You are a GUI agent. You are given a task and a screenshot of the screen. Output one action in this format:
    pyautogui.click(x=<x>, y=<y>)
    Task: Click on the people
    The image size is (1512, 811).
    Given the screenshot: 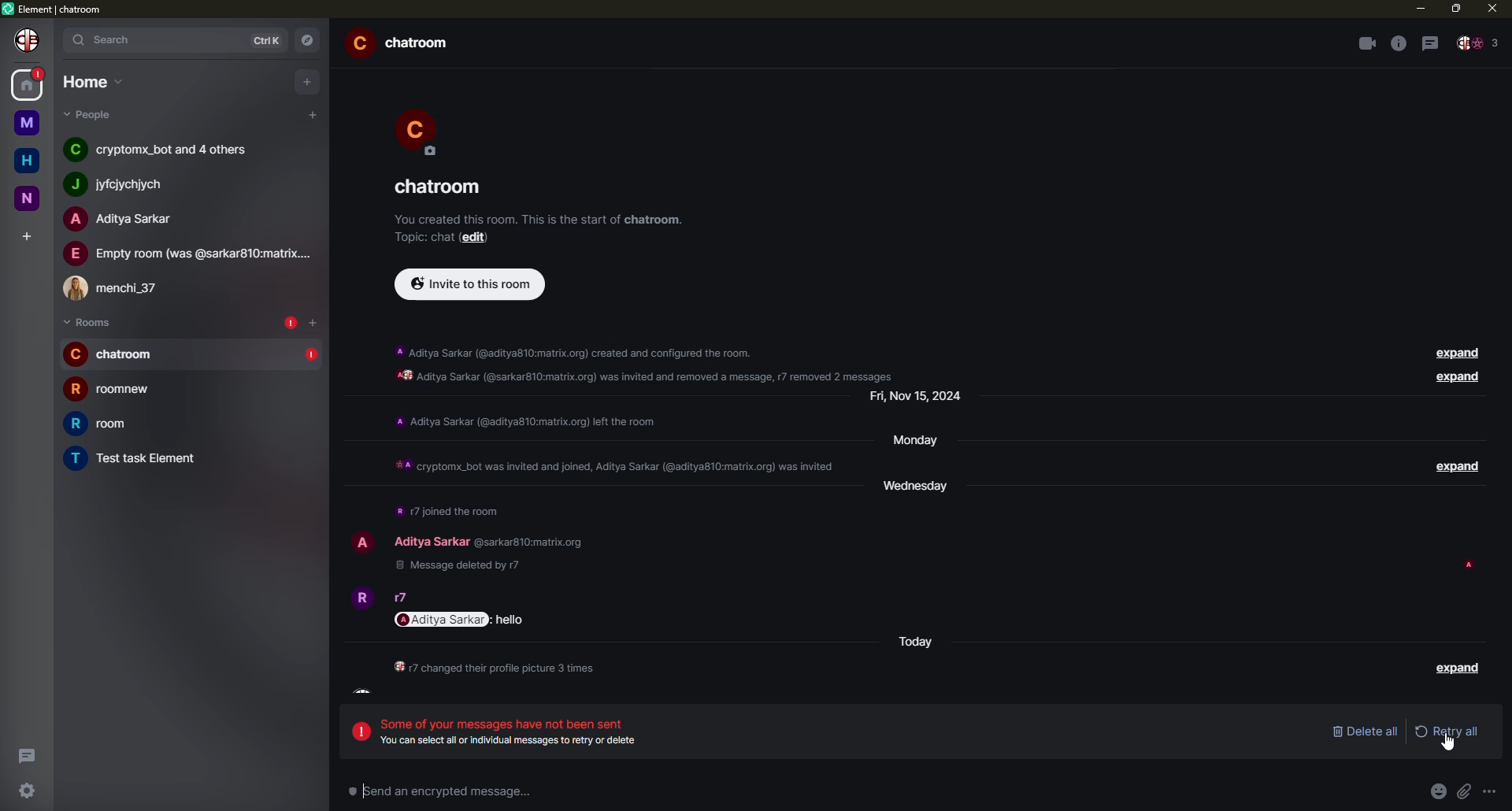 What is the action you would take?
    pyautogui.click(x=91, y=114)
    